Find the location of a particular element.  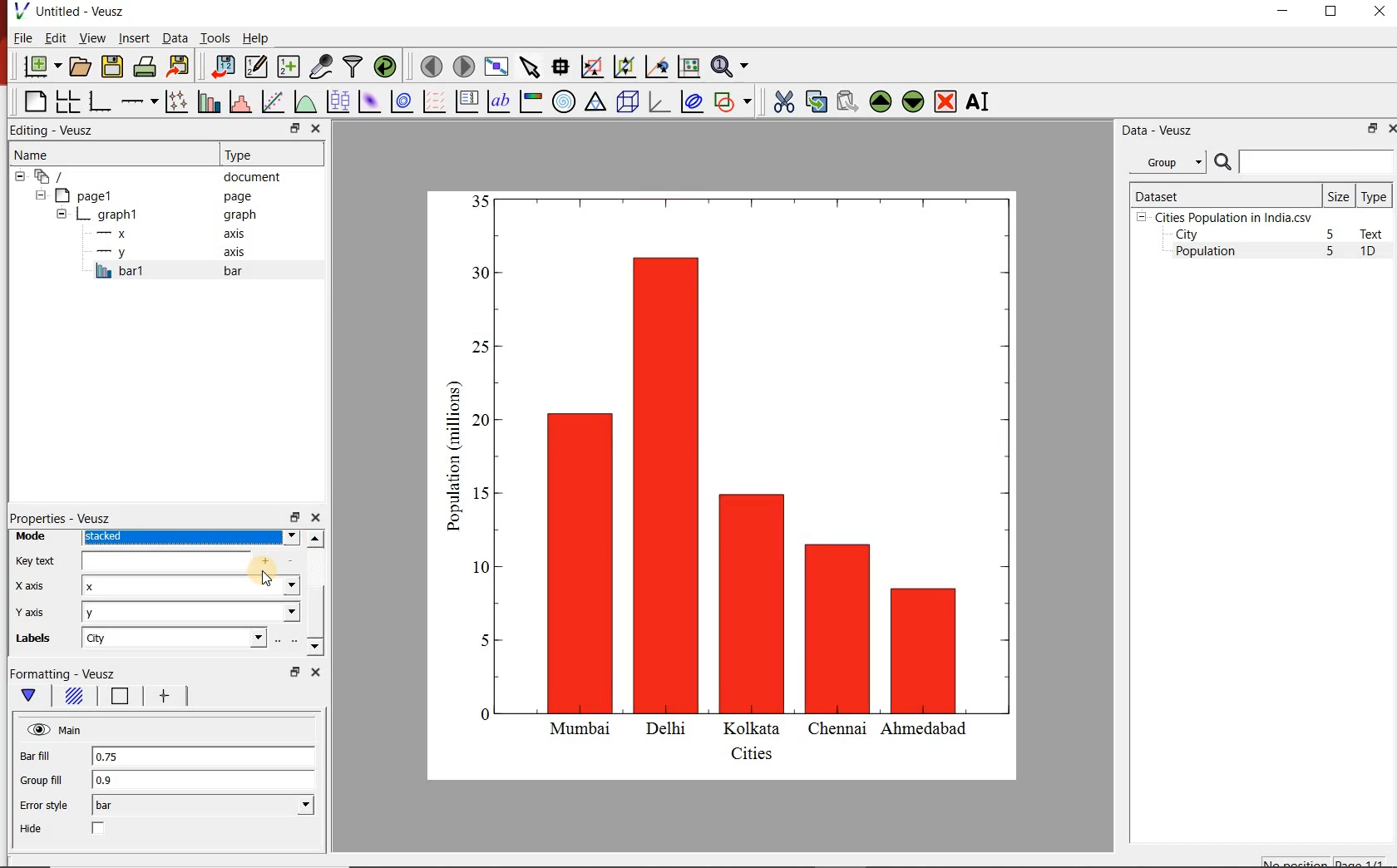

Help is located at coordinates (257, 37).